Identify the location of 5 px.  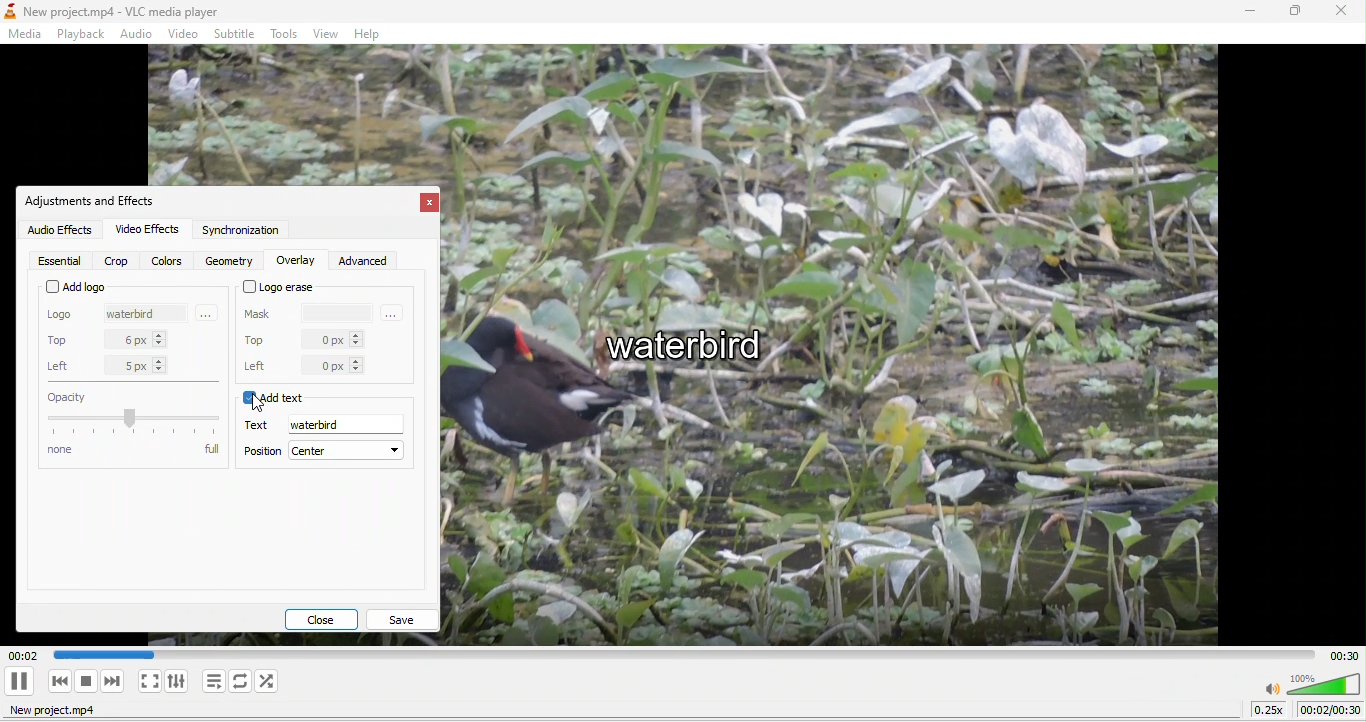
(149, 365).